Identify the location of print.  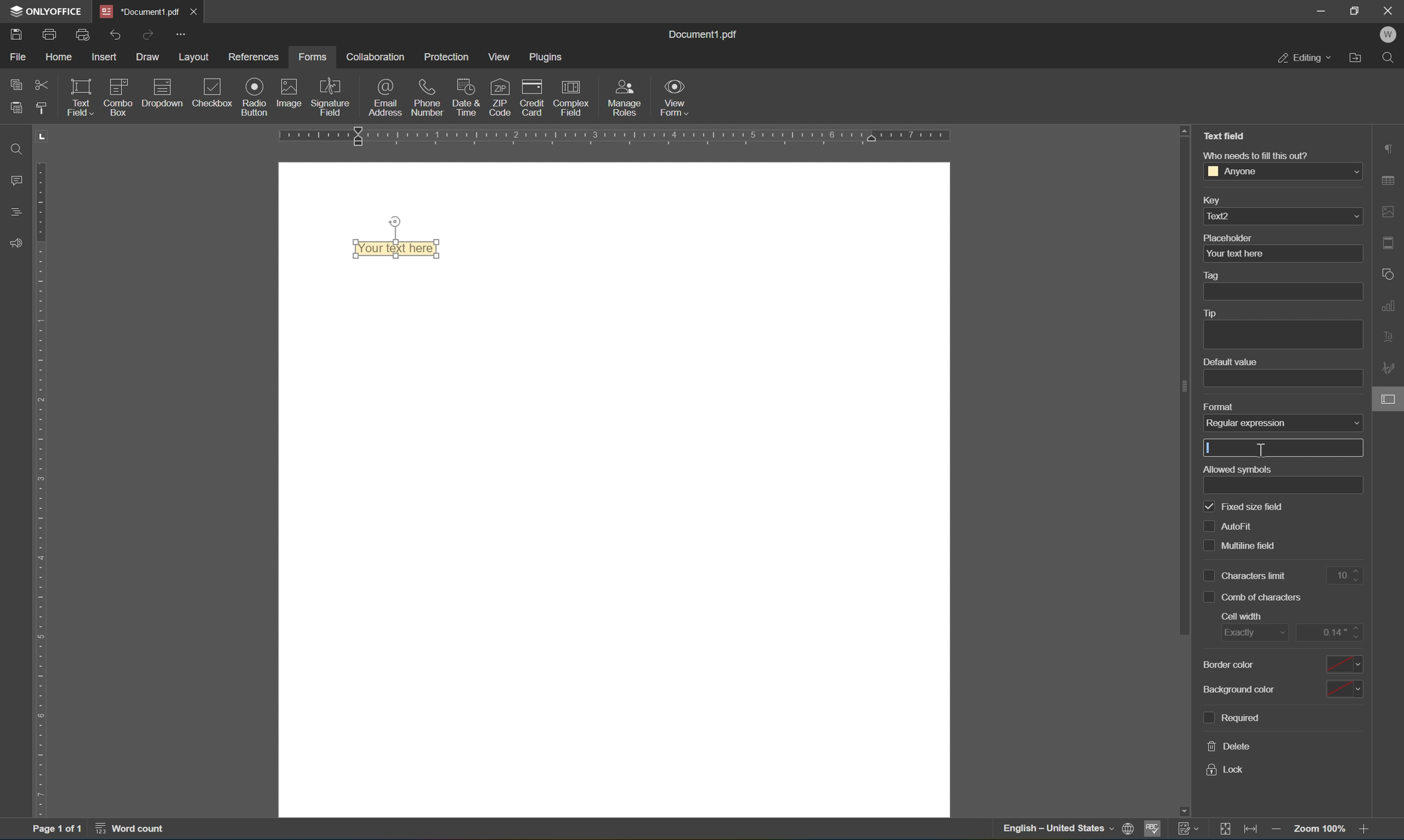
(48, 33).